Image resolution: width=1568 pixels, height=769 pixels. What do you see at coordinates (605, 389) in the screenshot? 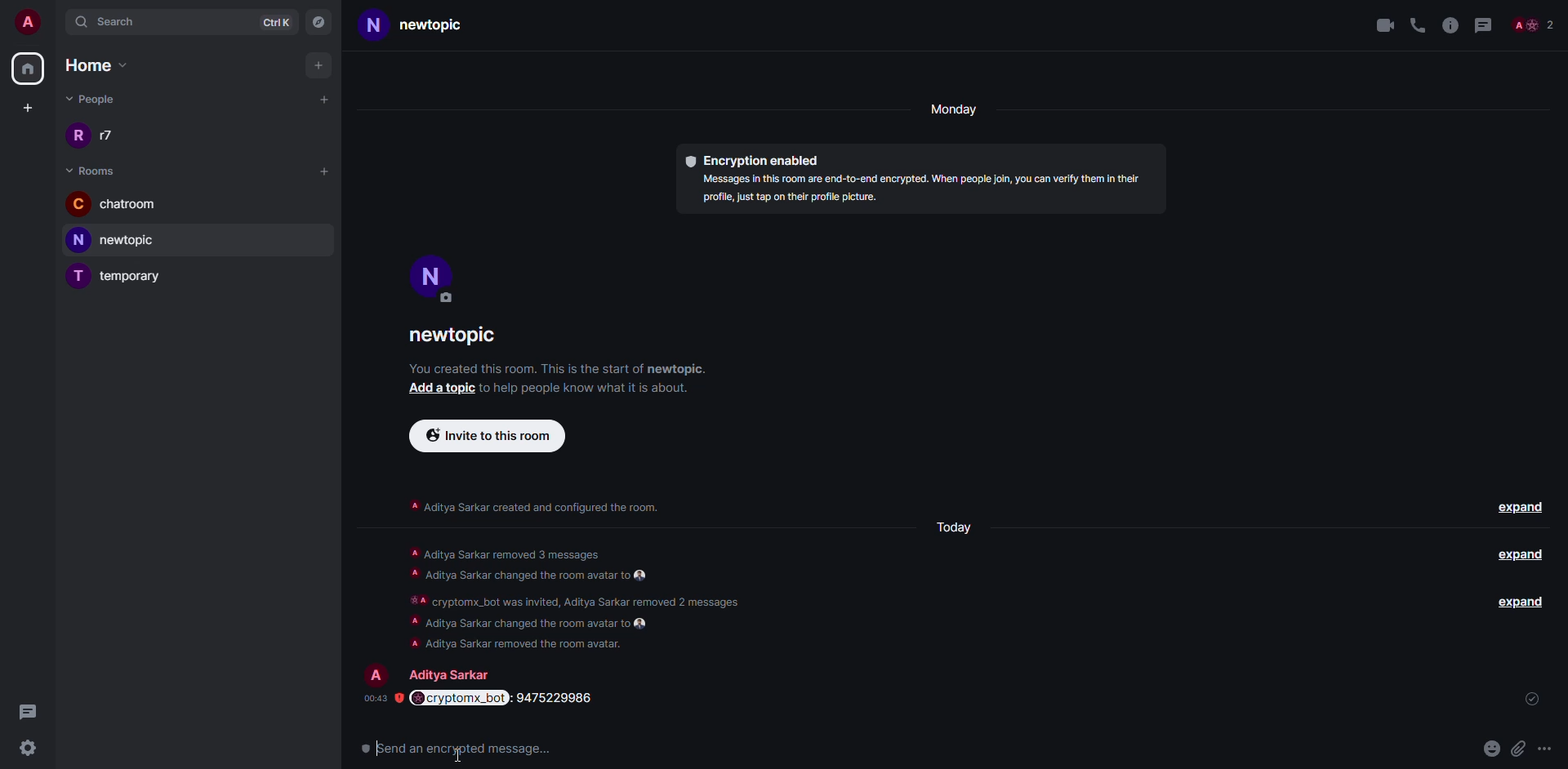
I see `s to help people know what it is about.` at bounding box center [605, 389].